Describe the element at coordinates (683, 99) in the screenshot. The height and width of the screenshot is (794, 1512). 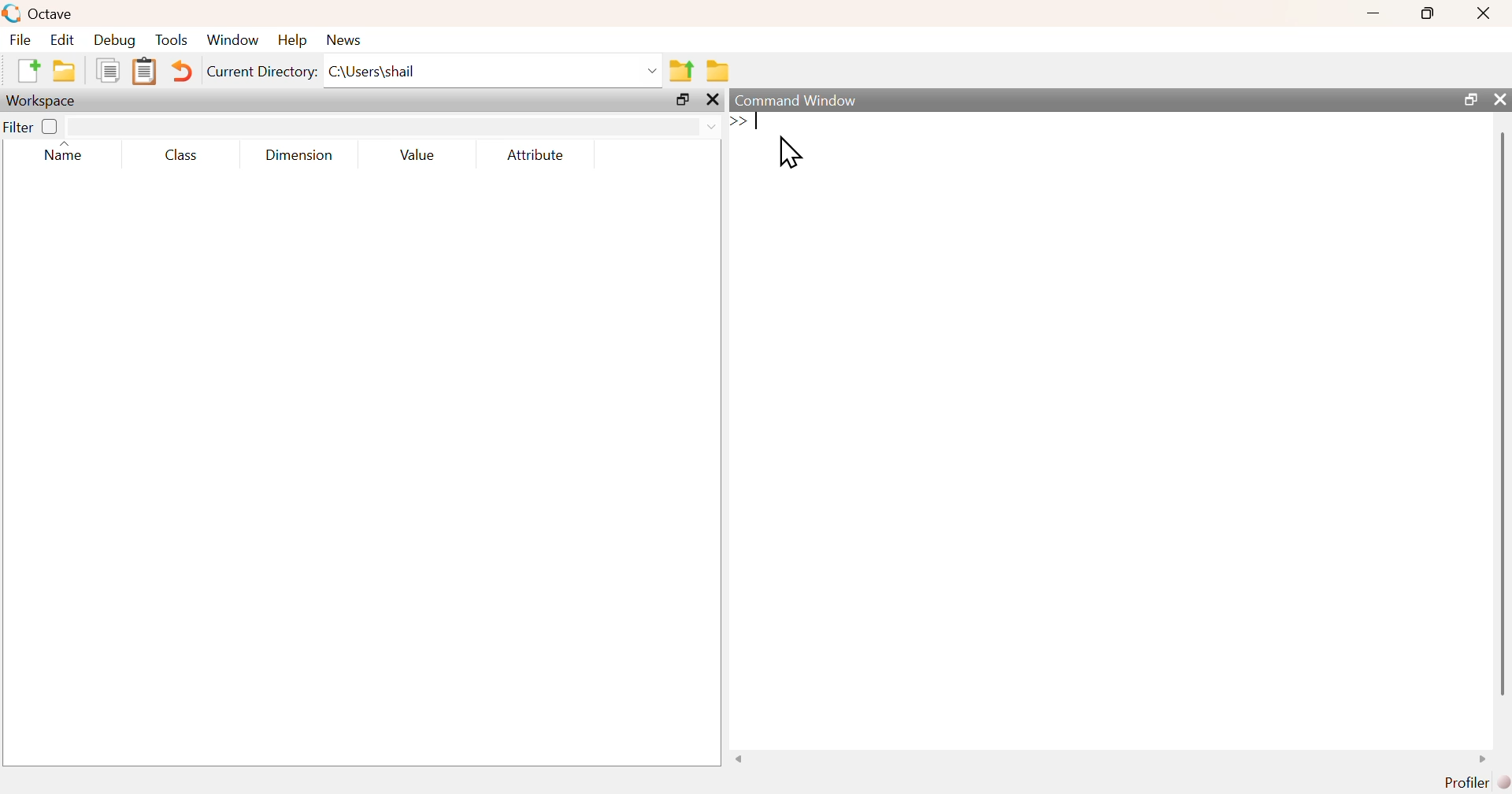
I see `maximize` at that location.